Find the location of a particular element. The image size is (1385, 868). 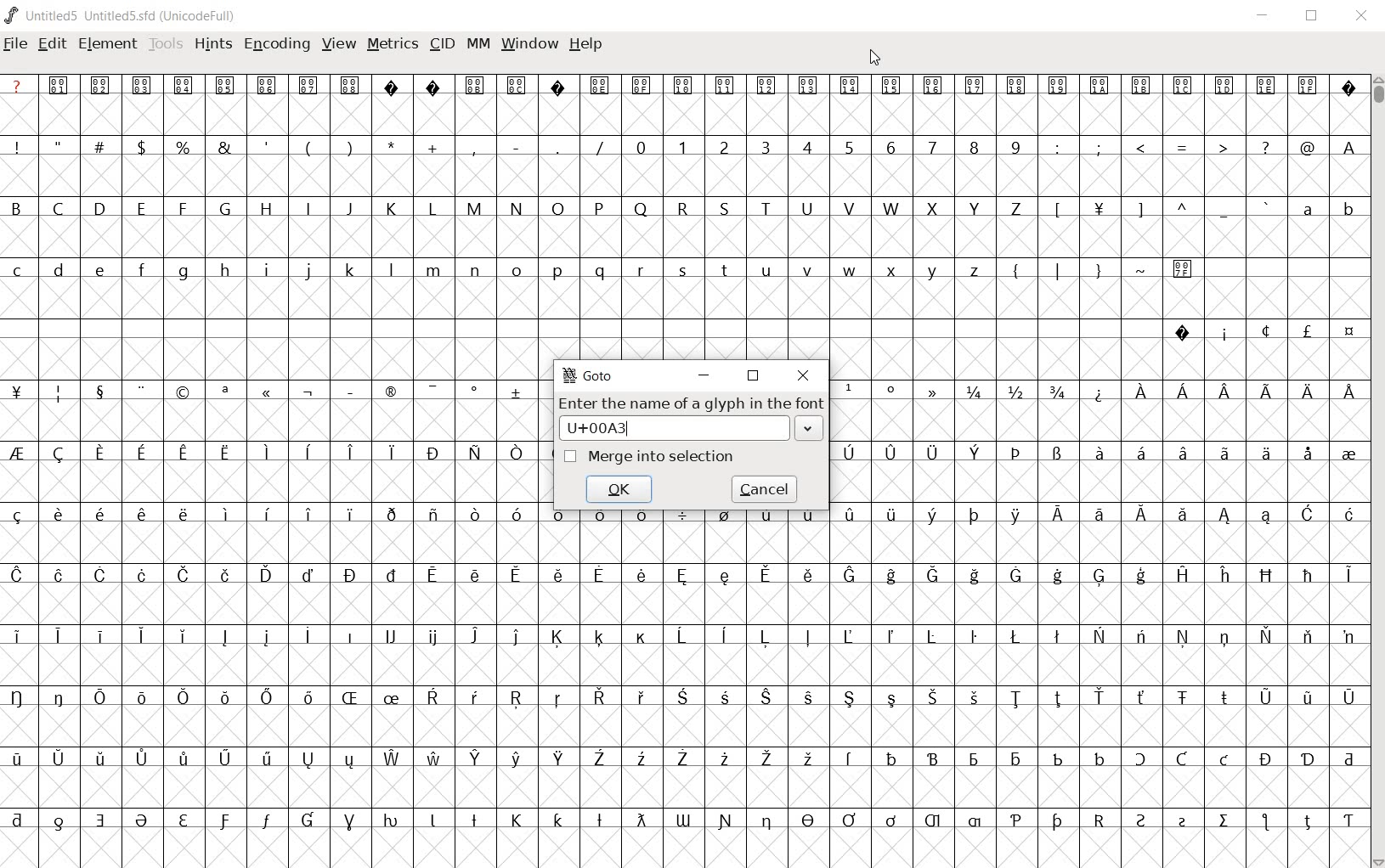

Symbol is located at coordinates (1347, 635).